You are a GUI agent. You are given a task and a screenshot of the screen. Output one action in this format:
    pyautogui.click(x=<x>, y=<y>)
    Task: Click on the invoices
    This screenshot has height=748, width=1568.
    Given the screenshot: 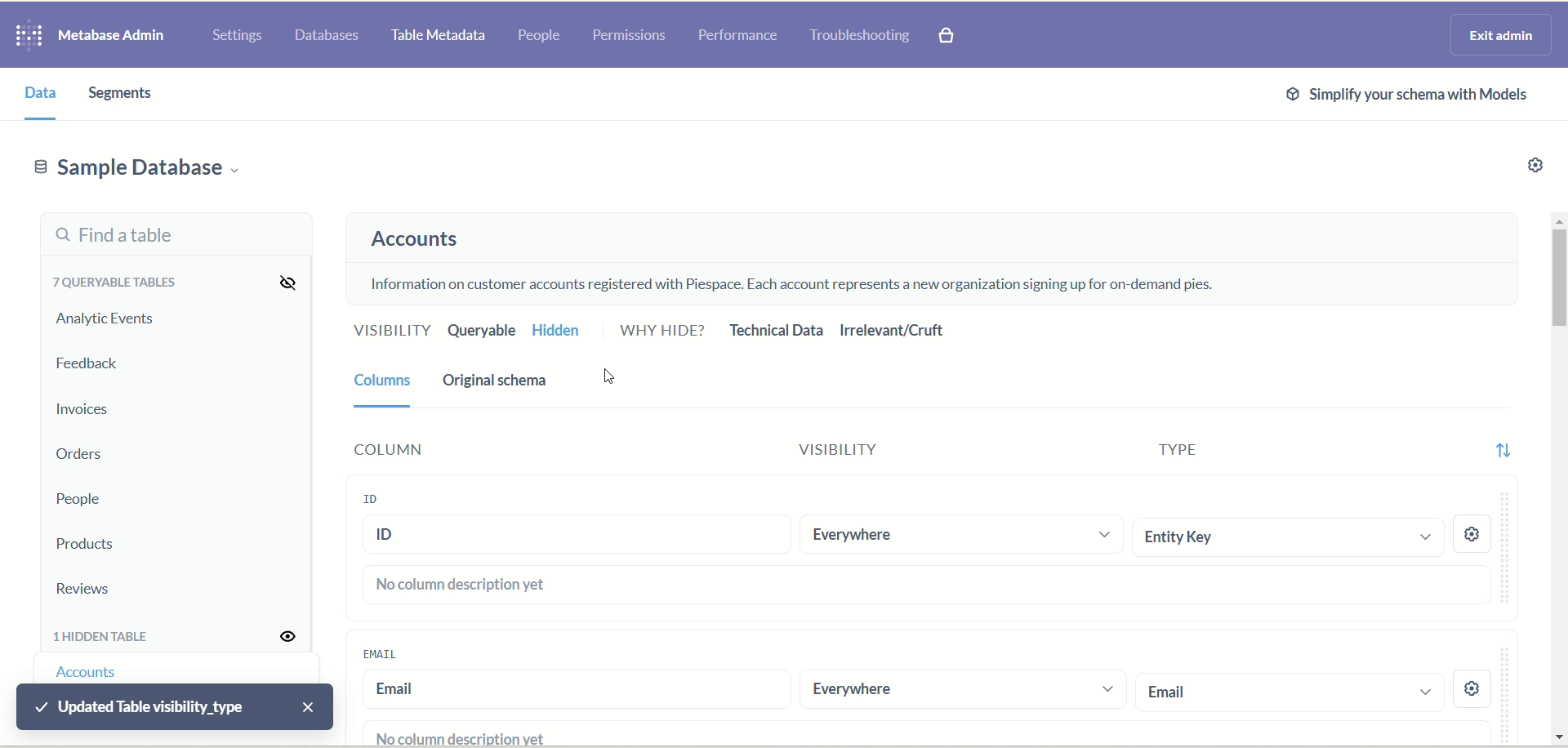 What is the action you would take?
    pyautogui.click(x=89, y=408)
    